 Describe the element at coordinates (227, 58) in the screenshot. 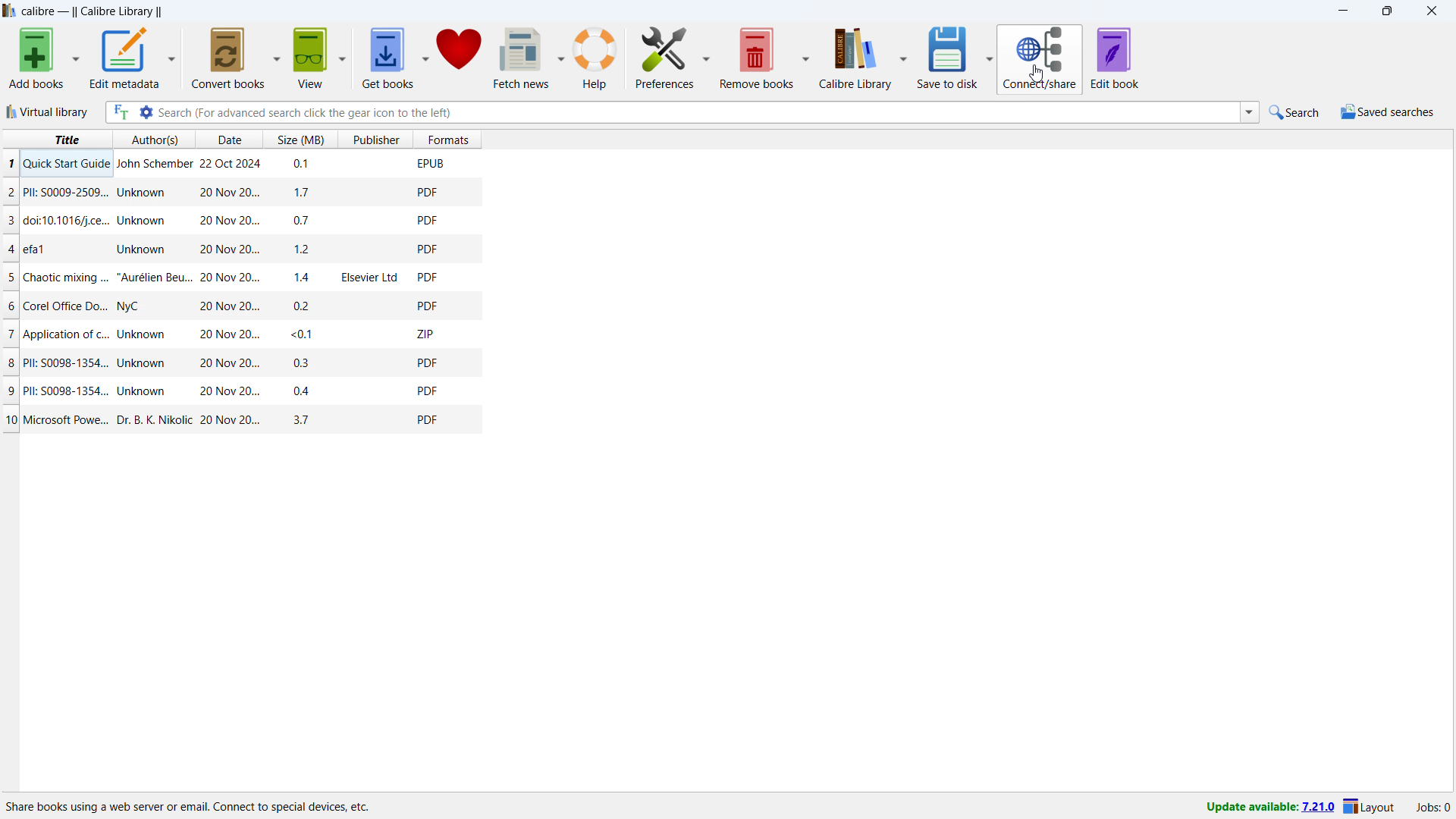

I see `convert books` at that location.